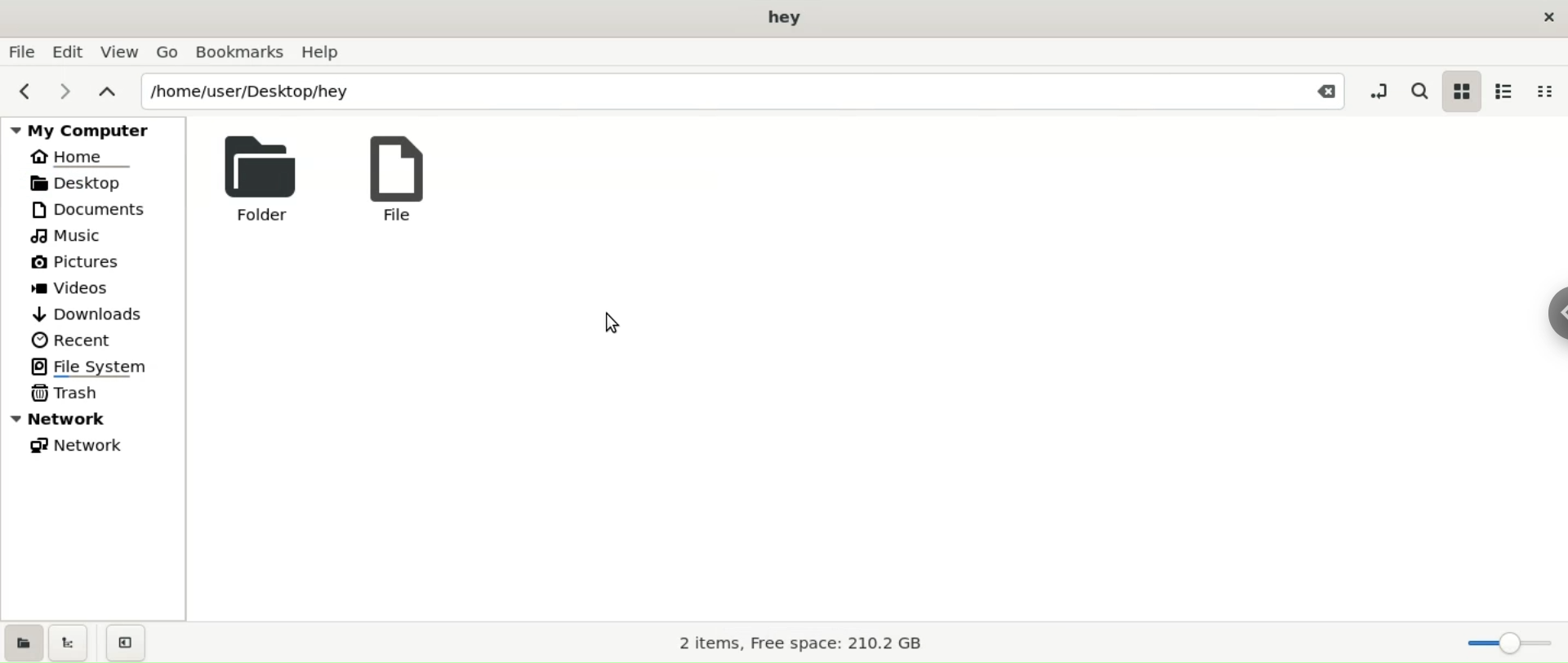 Image resolution: width=1568 pixels, height=663 pixels. Describe the element at coordinates (66, 51) in the screenshot. I see `edit` at that location.